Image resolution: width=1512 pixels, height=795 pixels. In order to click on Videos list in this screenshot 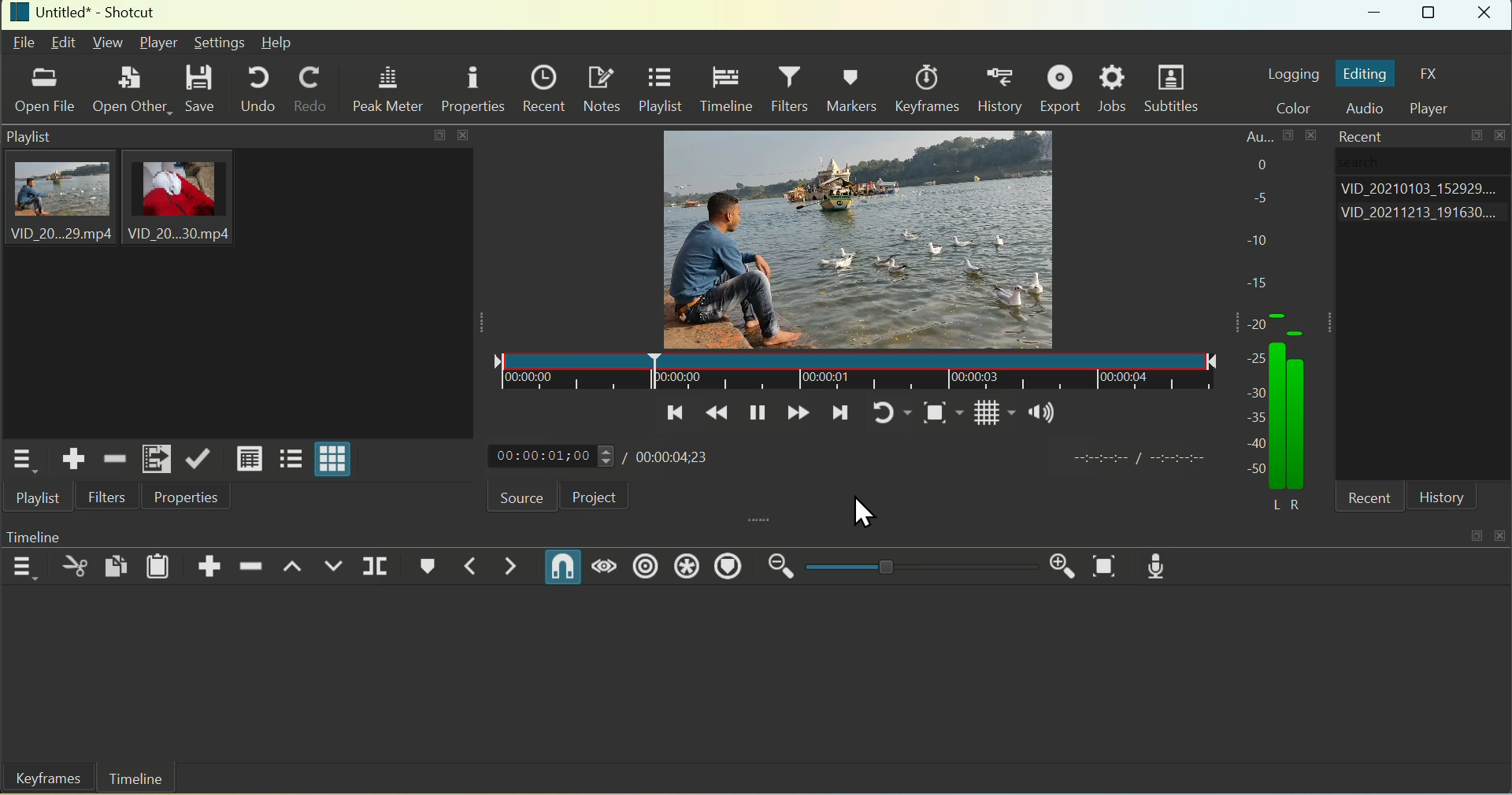, I will do `click(1424, 215)`.